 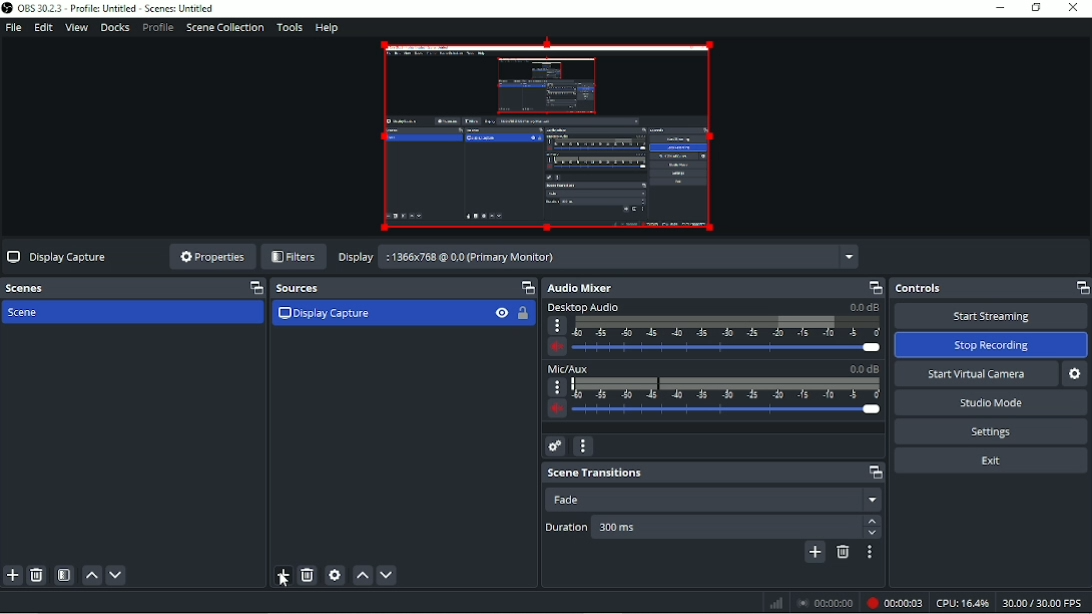 I want to click on Duration, so click(x=566, y=526).